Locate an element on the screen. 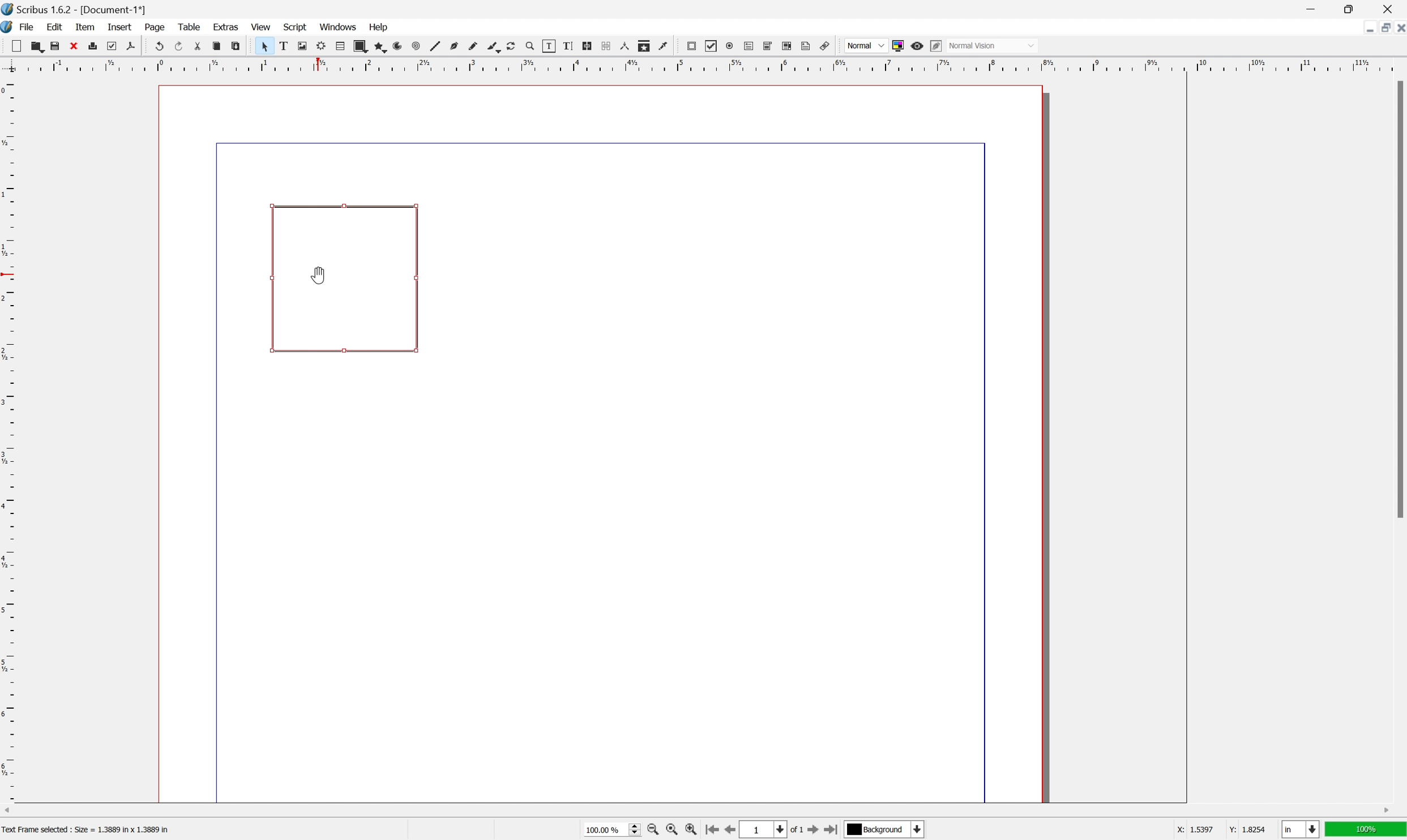  unlink text frames is located at coordinates (605, 45).